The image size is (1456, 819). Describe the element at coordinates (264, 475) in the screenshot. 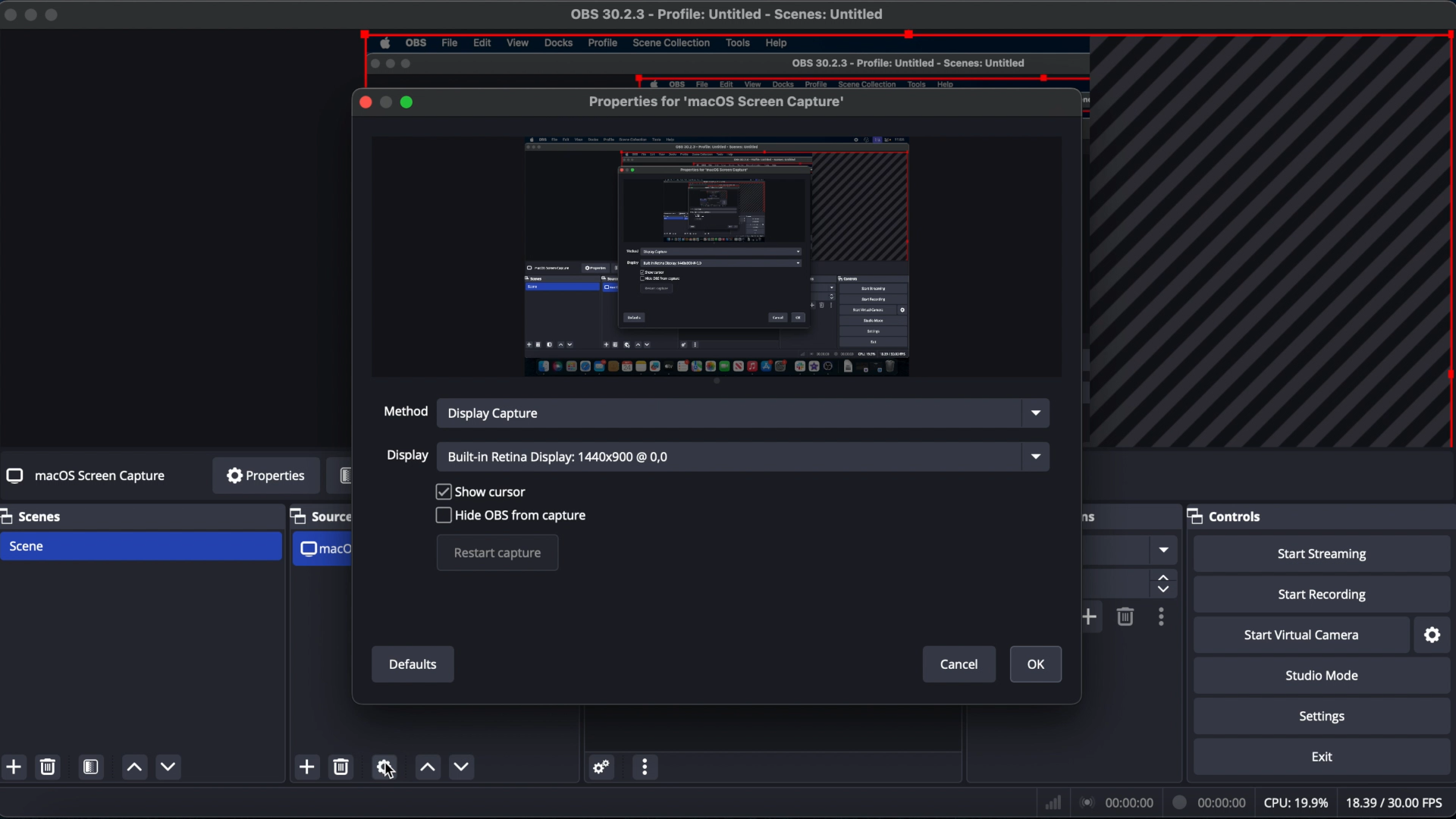

I see `properties` at that location.